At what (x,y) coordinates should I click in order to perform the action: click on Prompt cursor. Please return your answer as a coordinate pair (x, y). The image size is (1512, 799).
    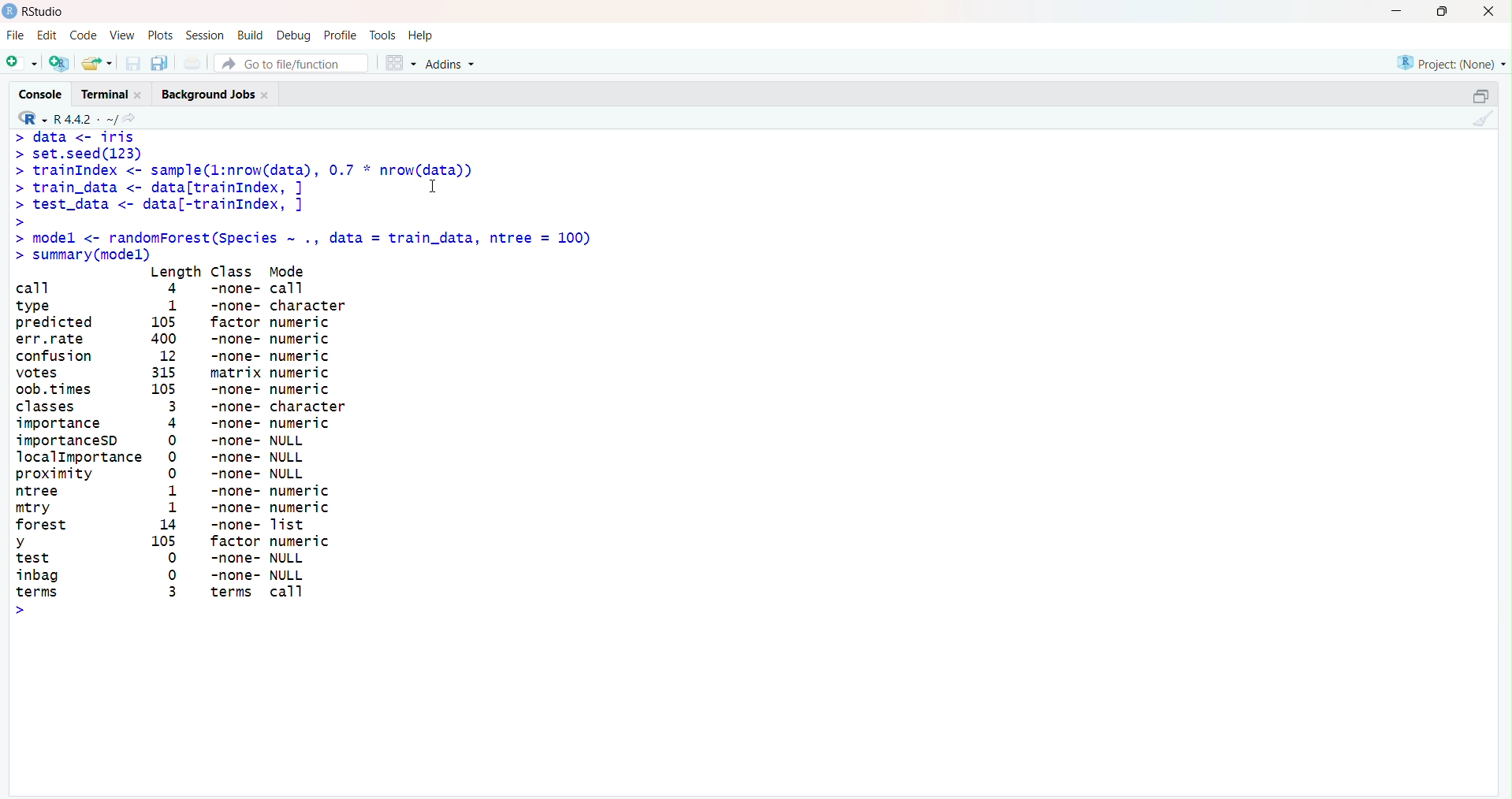
    Looking at the image, I should click on (19, 205).